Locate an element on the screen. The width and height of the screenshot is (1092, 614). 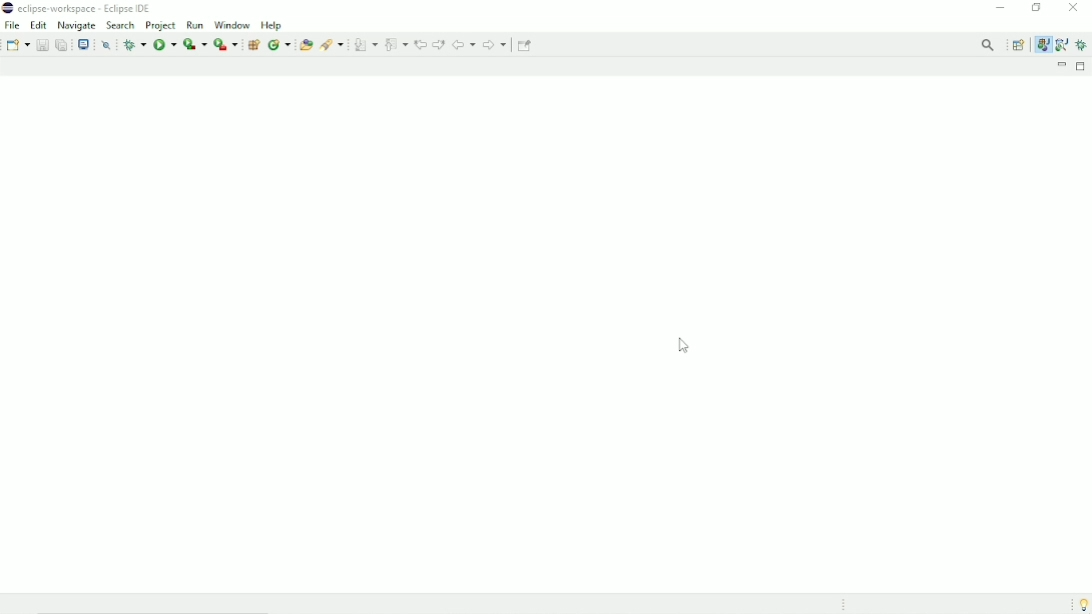
Run is located at coordinates (195, 25).